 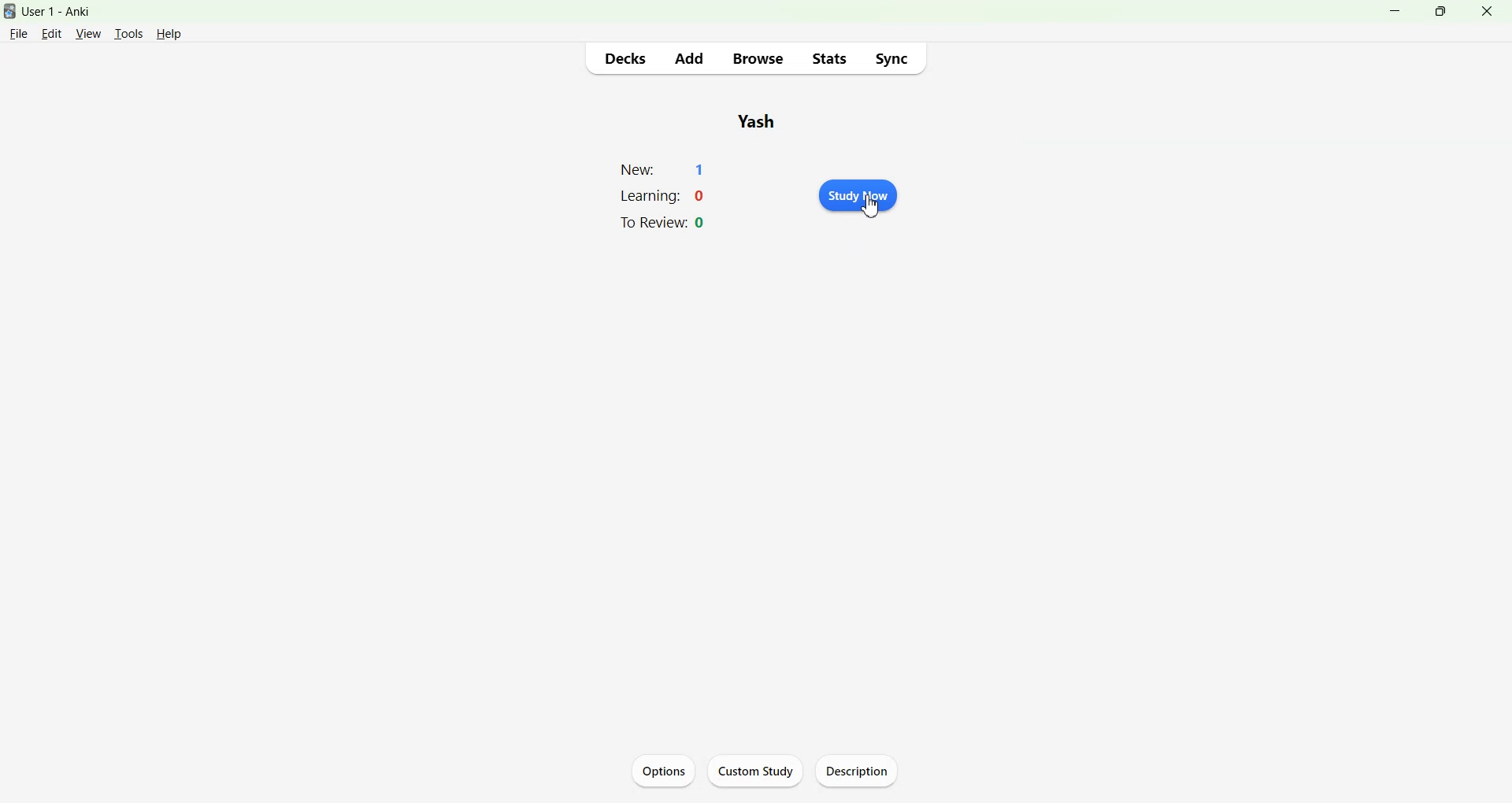 What do you see at coordinates (169, 34) in the screenshot?
I see `Help` at bounding box center [169, 34].